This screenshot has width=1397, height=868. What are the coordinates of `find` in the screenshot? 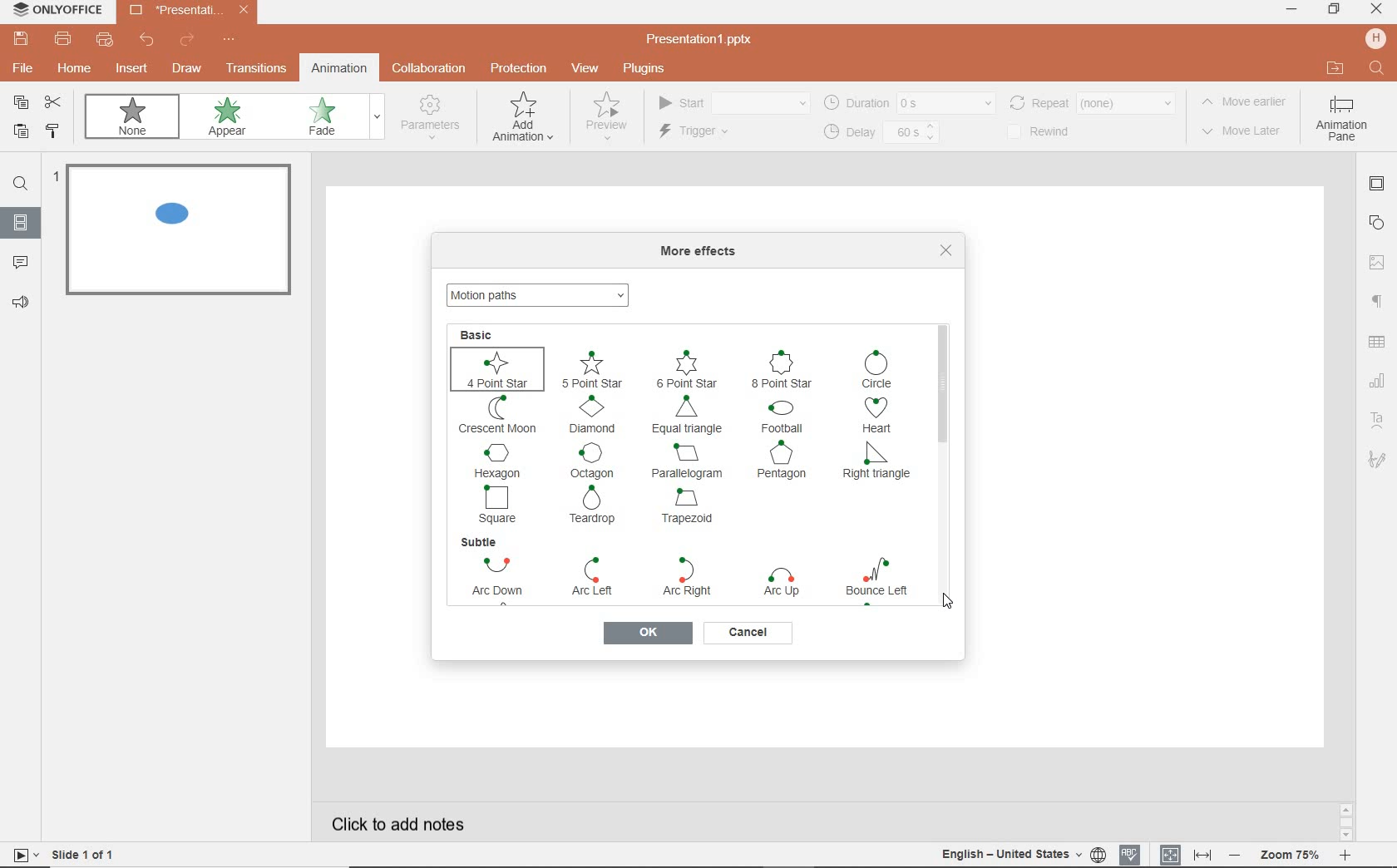 It's located at (1375, 67).